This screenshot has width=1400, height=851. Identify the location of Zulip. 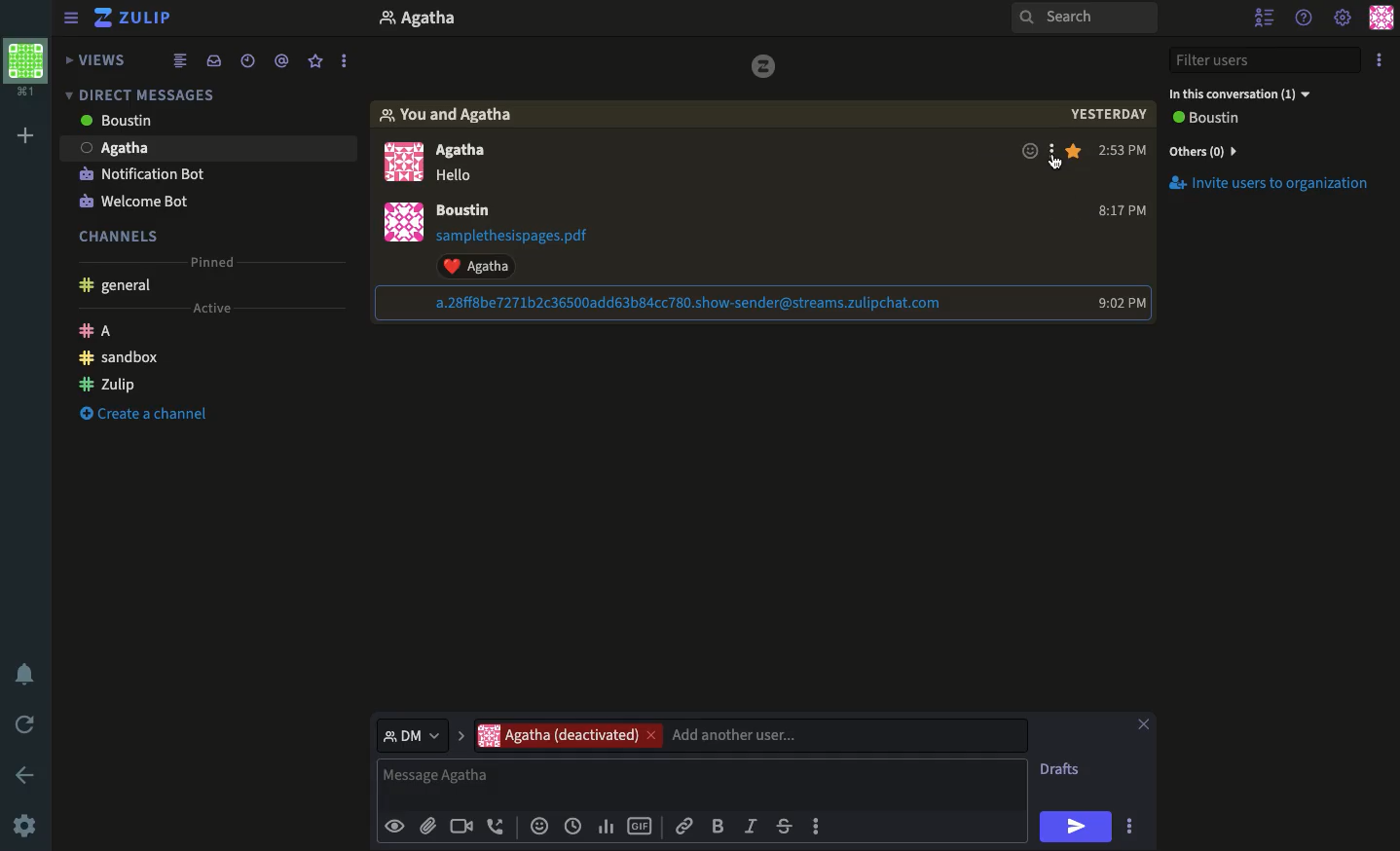
(136, 19).